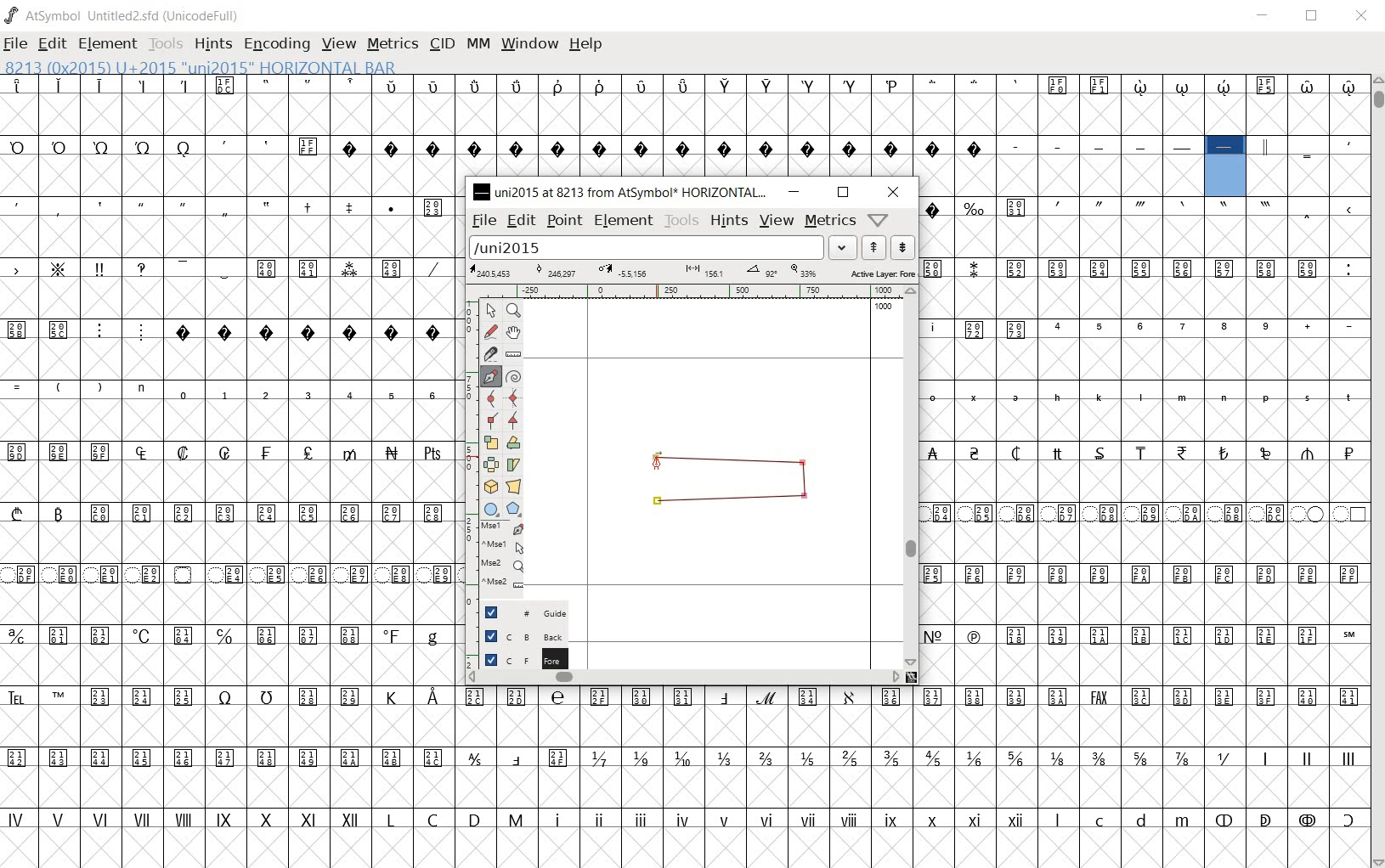 Image resolution: width=1385 pixels, height=868 pixels. What do you see at coordinates (894, 192) in the screenshot?
I see `close` at bounding box center [894, 192].